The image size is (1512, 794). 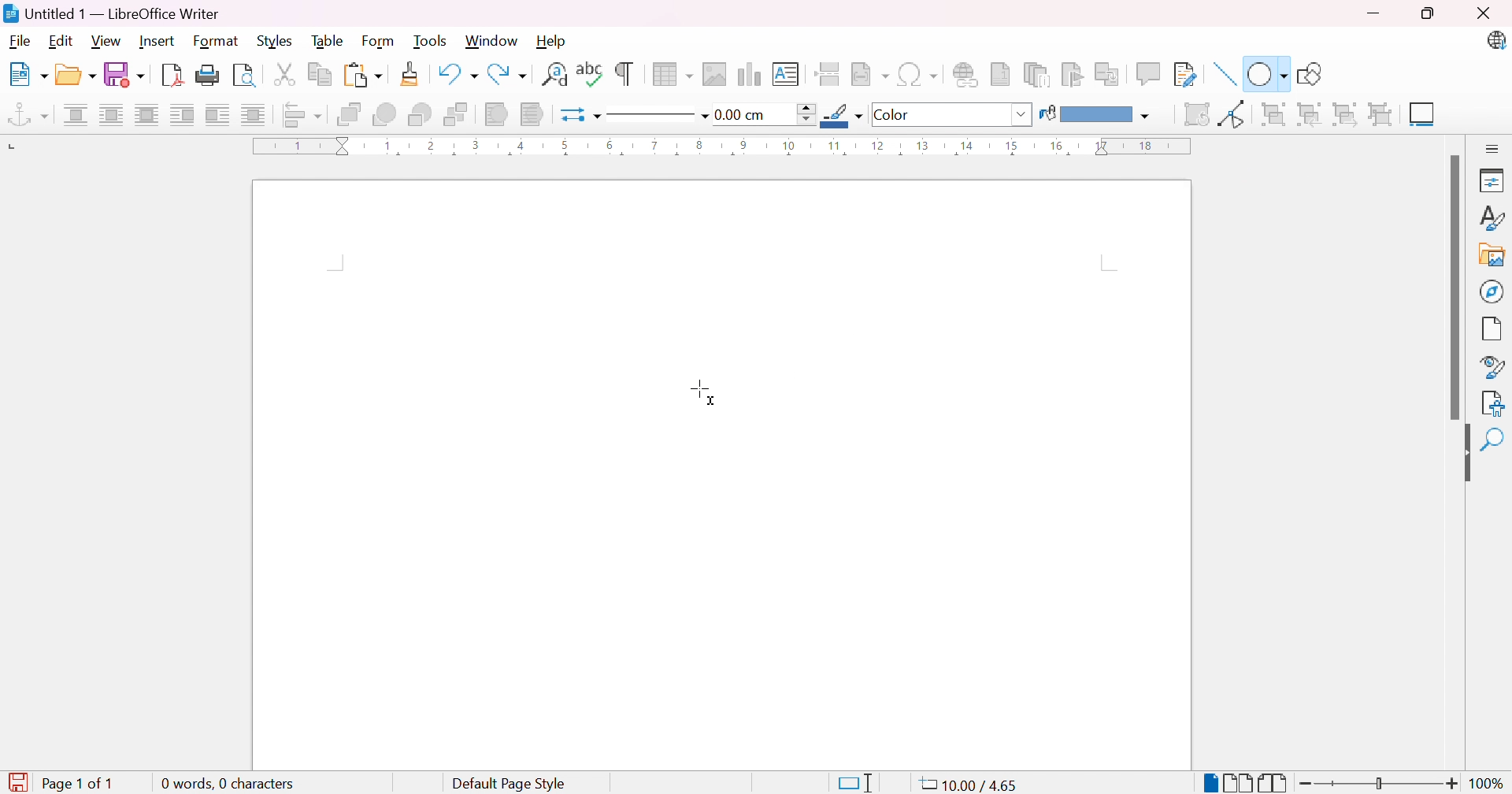 What do you see at coordinates (747, 73) in the screenshot?
I see `Insert chart` at bounding box center [747, 73].